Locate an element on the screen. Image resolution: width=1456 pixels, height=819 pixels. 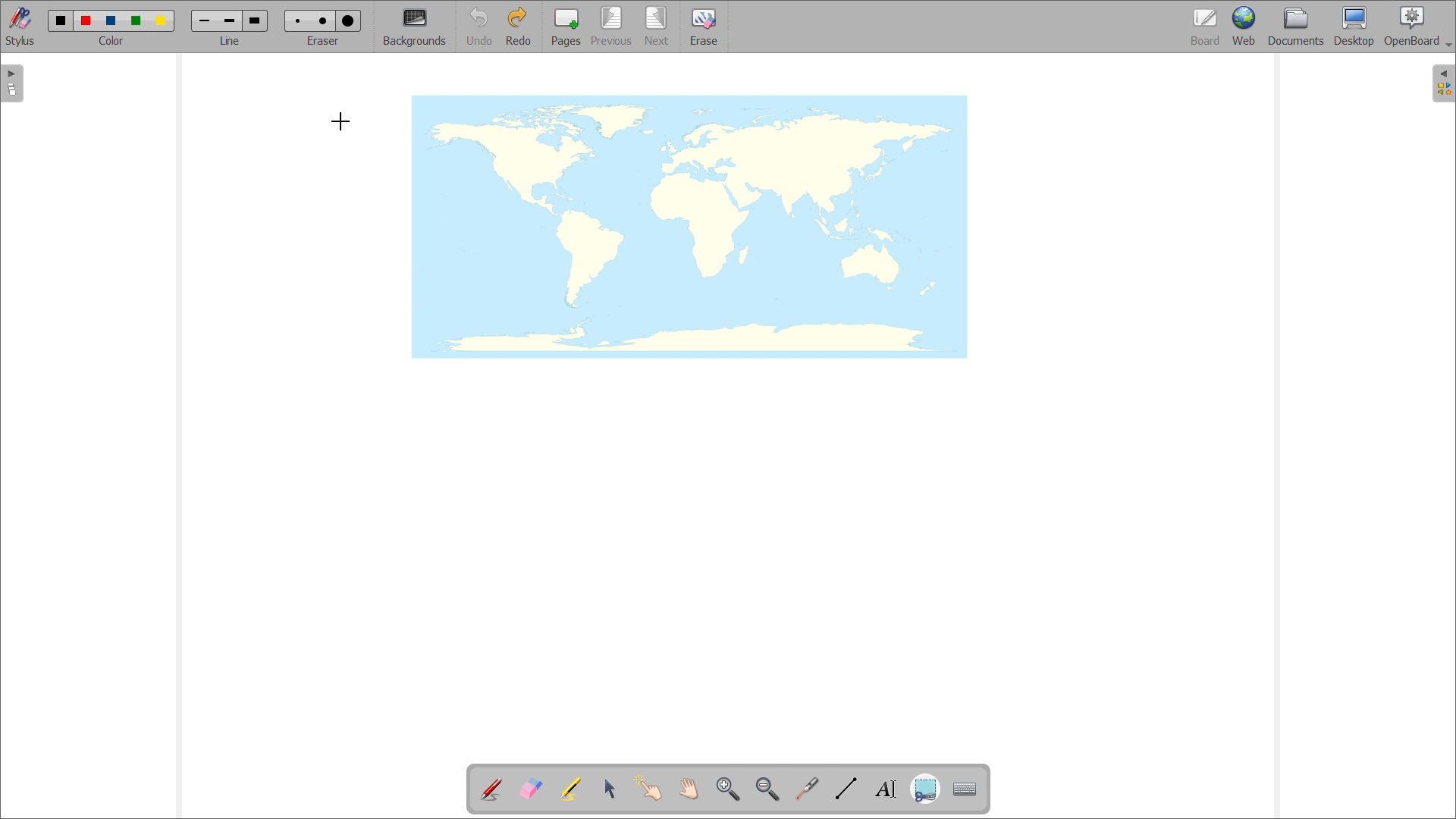
backgrounds is located at coordinates (415, 27).